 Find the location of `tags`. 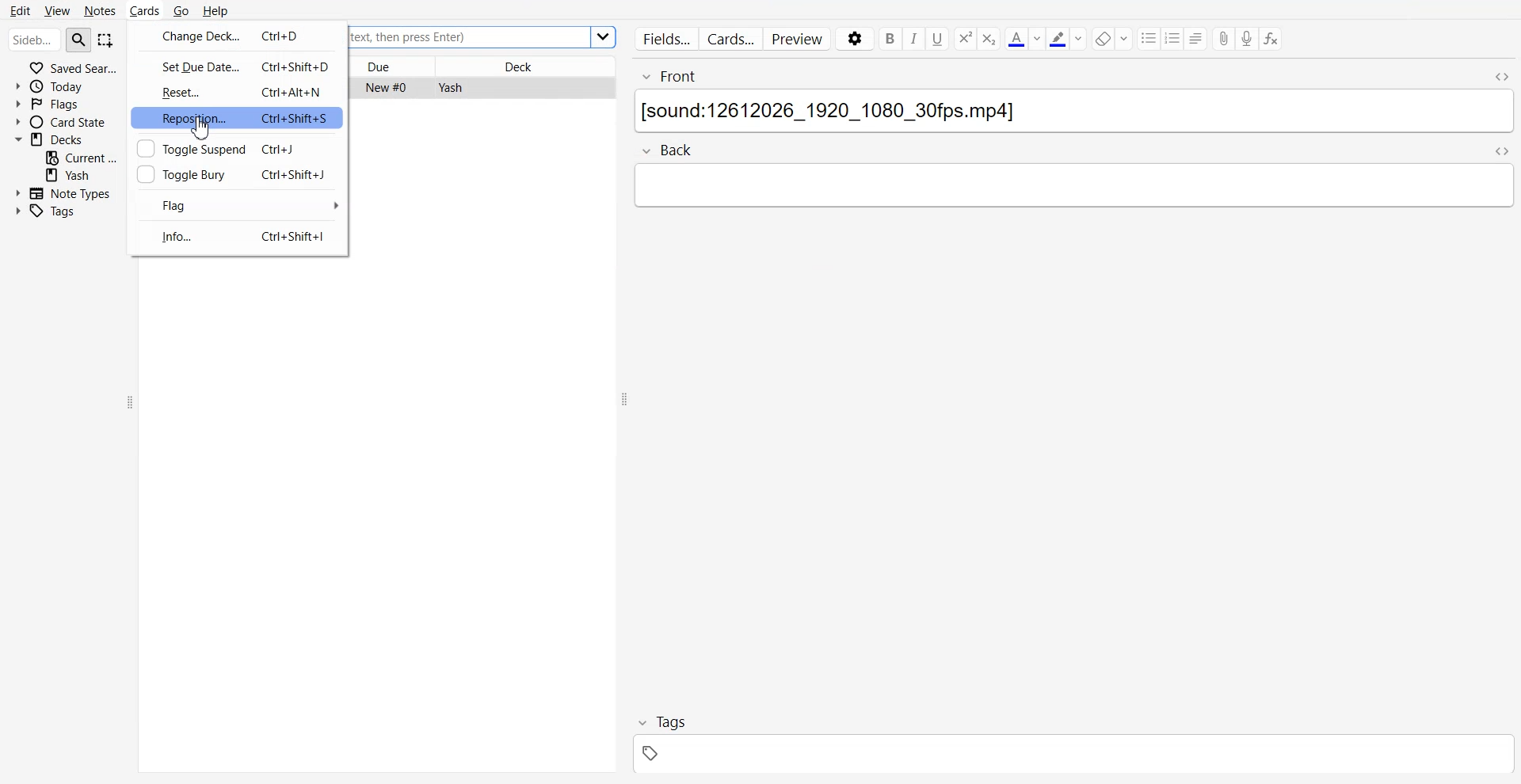

tags is located at coordinates (1073, 756).